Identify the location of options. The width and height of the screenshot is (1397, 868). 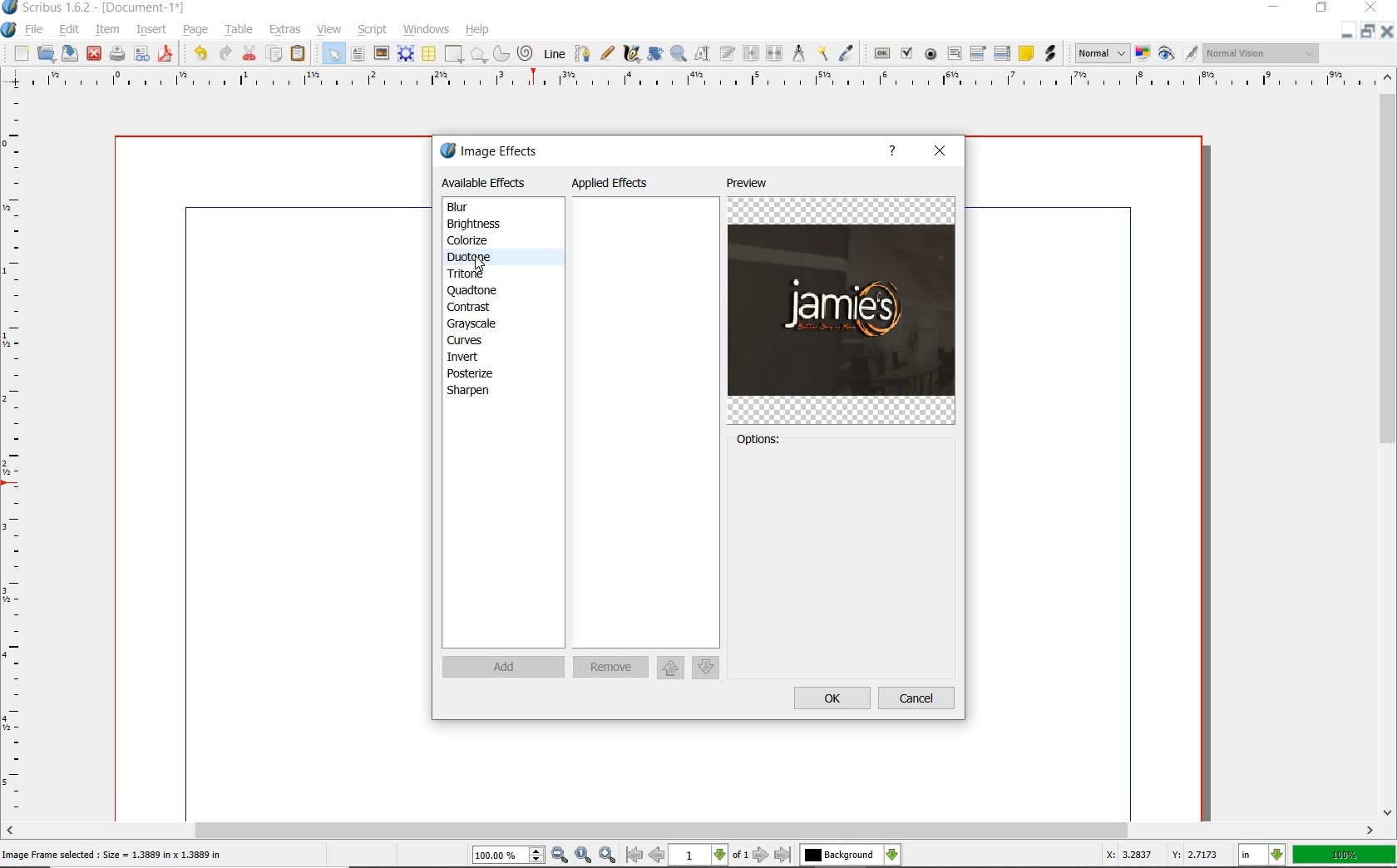
(758, 442).